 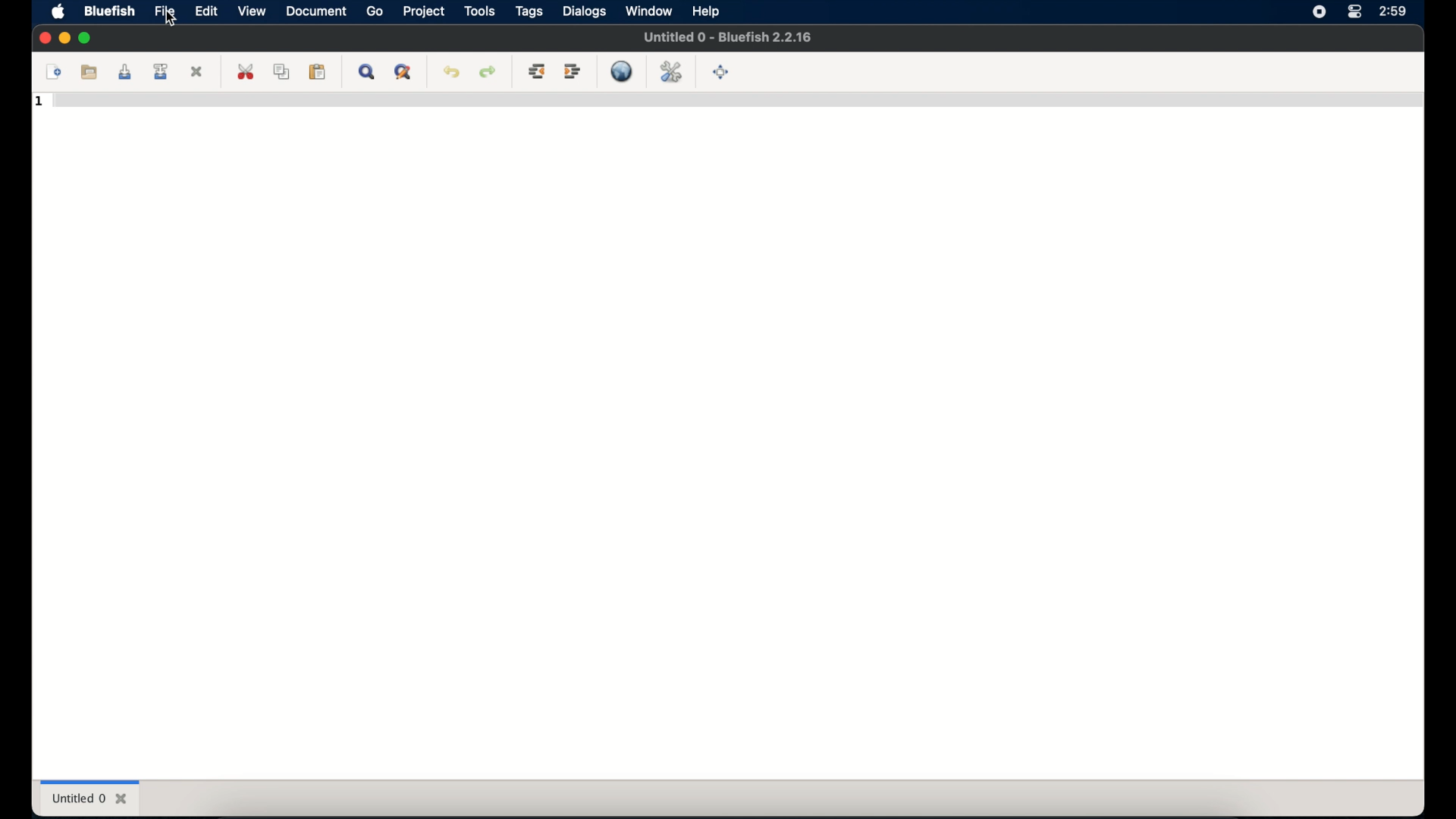 I want to click on control center, so click(x=1354, y=12).